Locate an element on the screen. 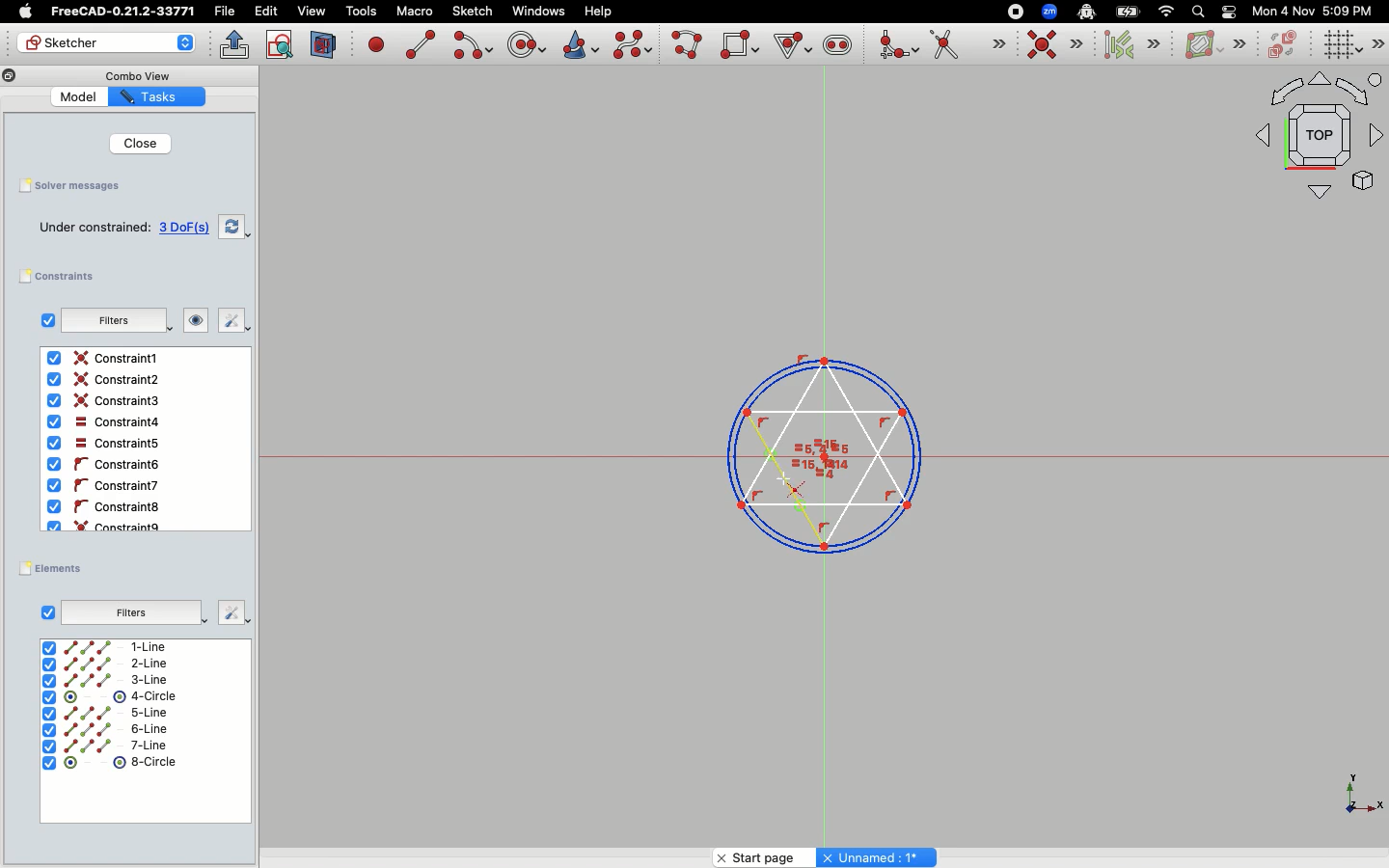 The width and height of the screenshot is (1389, 868). Mon 4 Nov 5:09 PM is located at coordinates (1315, 12).